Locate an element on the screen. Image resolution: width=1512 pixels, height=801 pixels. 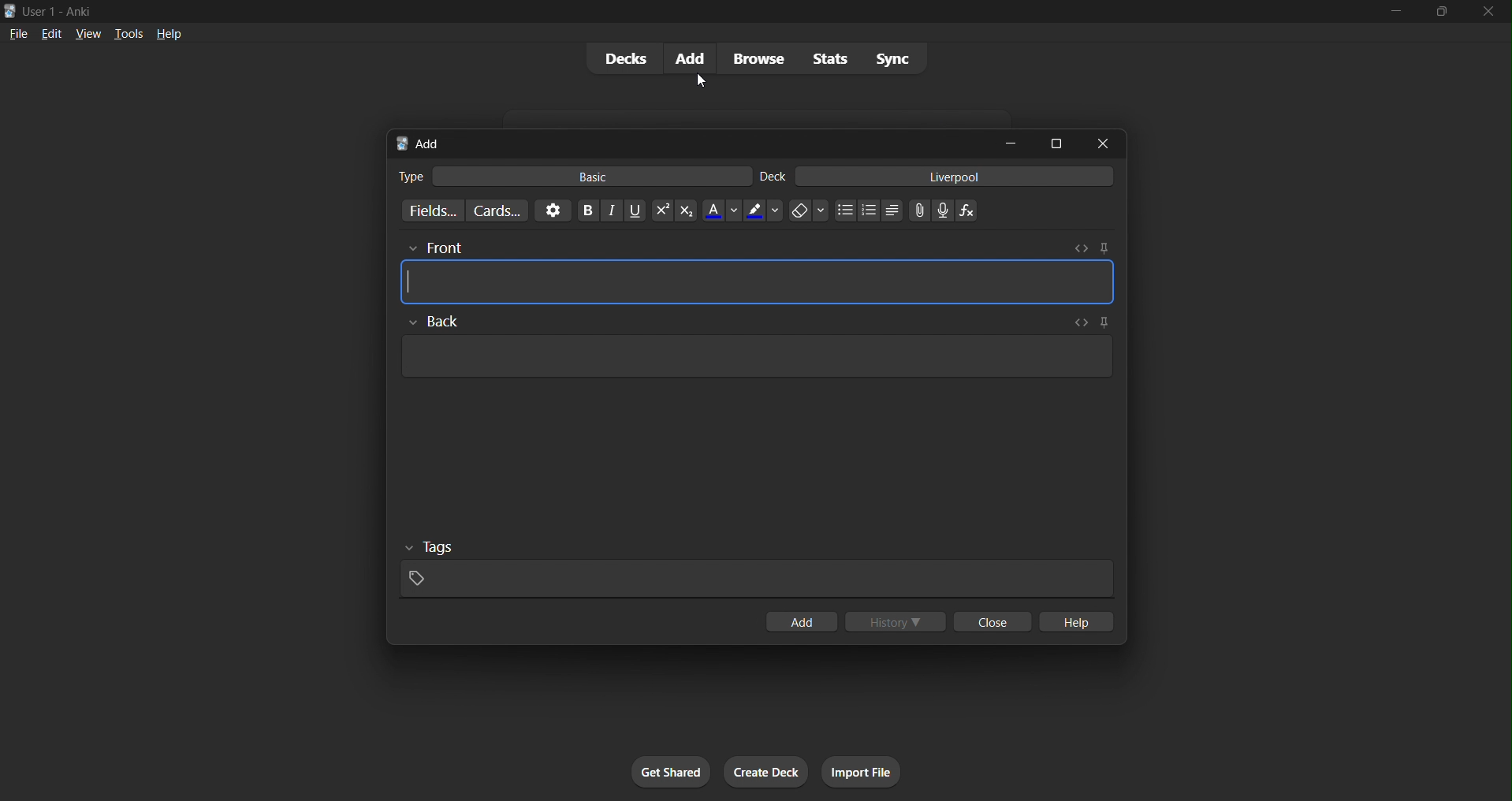
erase formatting is located at coordinates (803, 211).